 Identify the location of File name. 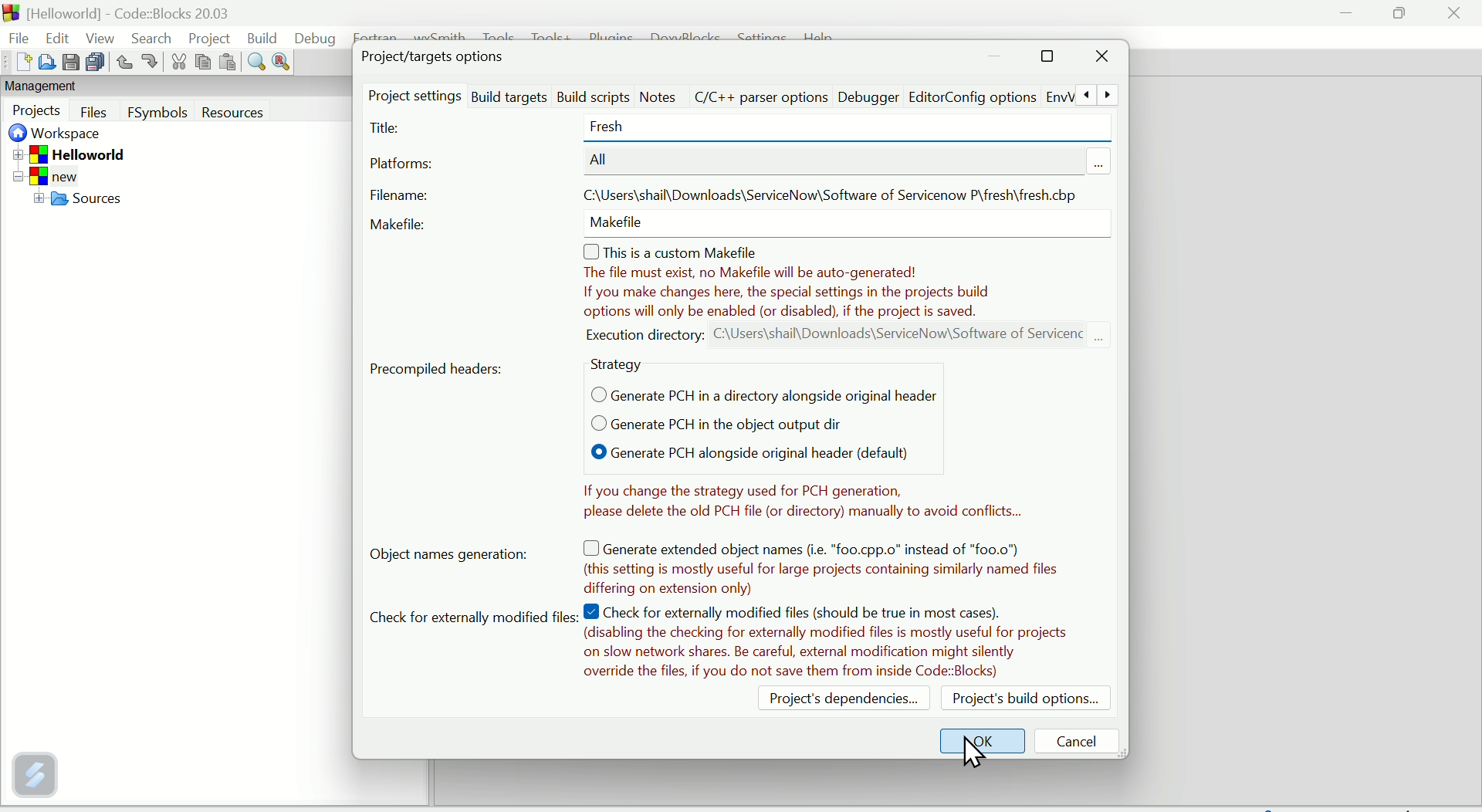
(396, 195).